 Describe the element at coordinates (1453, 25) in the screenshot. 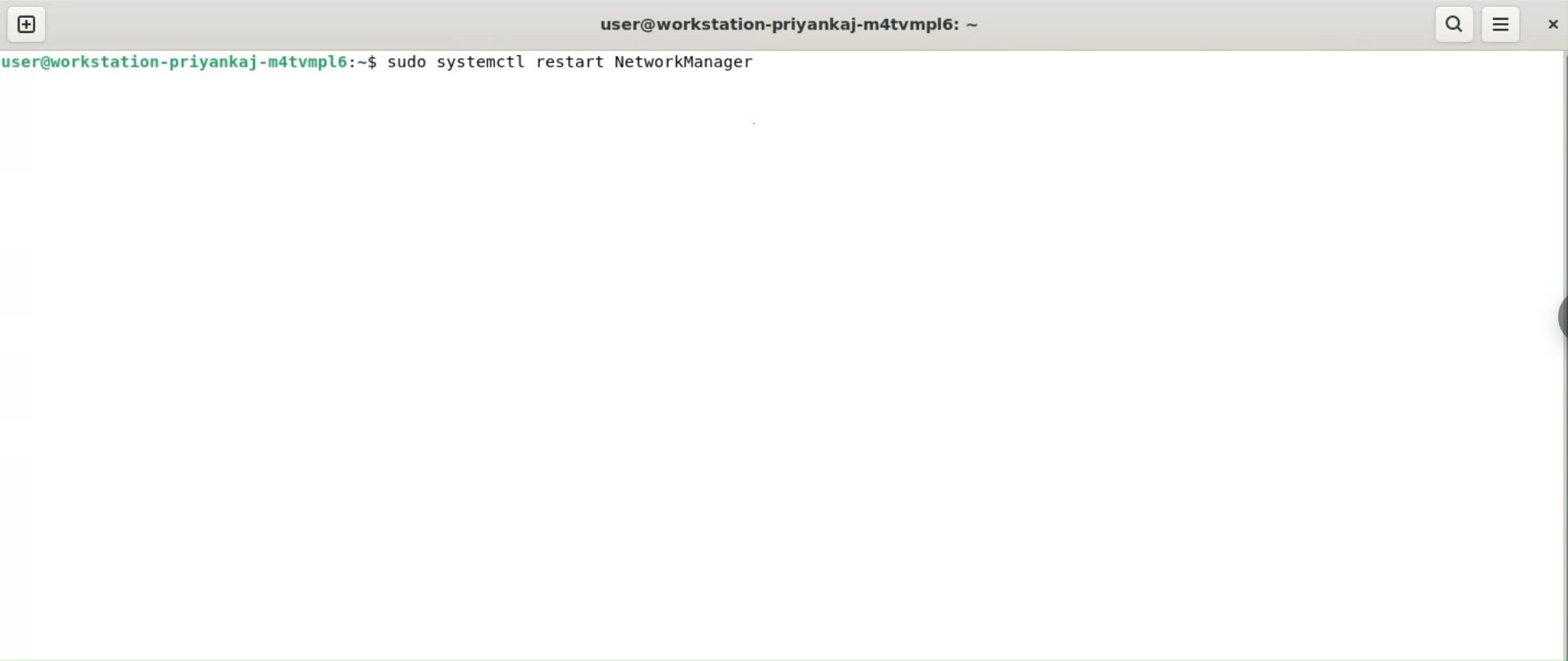

I see `search` at that location.